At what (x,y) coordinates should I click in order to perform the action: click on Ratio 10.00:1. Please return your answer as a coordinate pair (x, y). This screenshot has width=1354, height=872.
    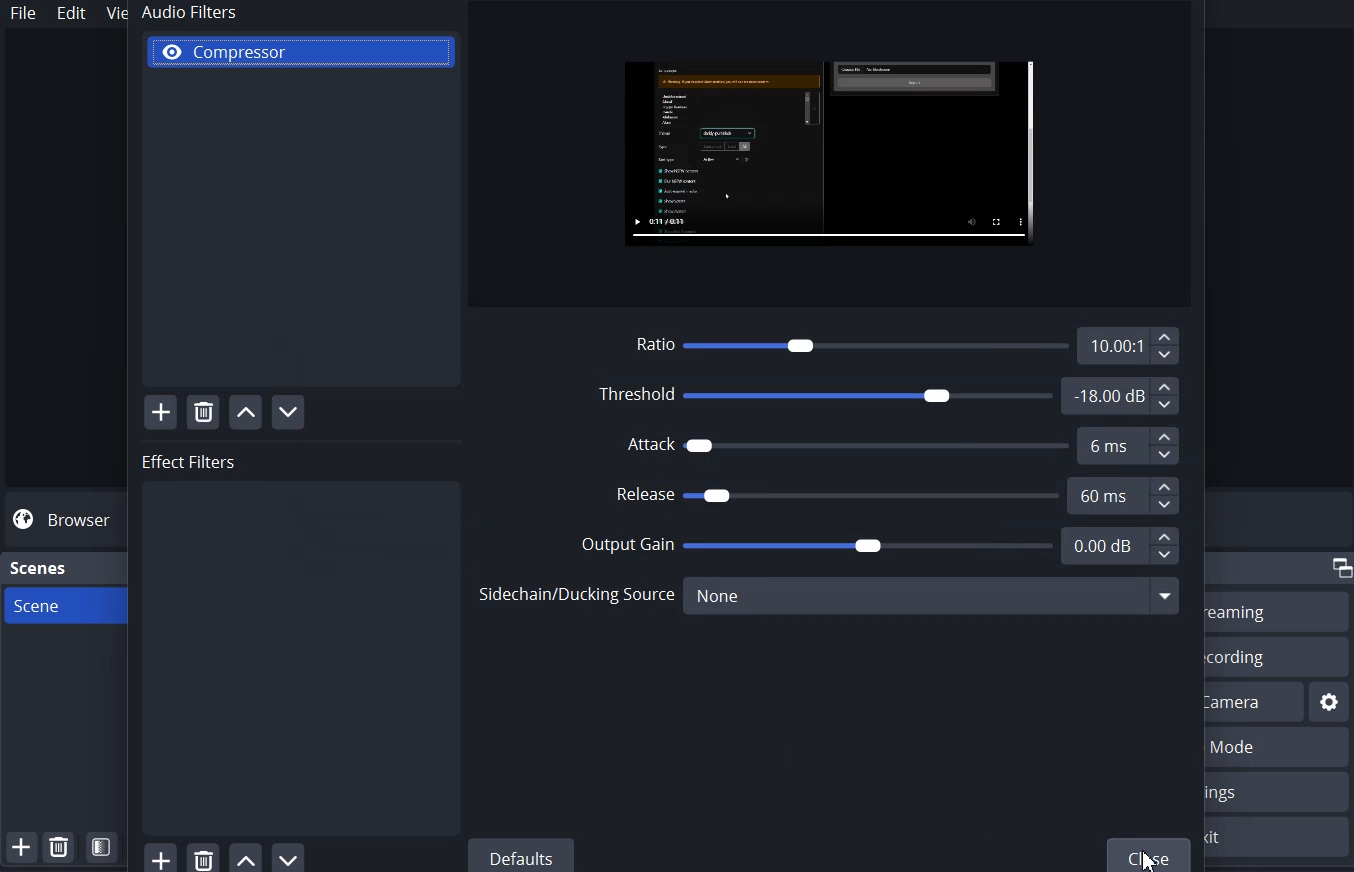
    Looking at the image, I should click on (907, 345).